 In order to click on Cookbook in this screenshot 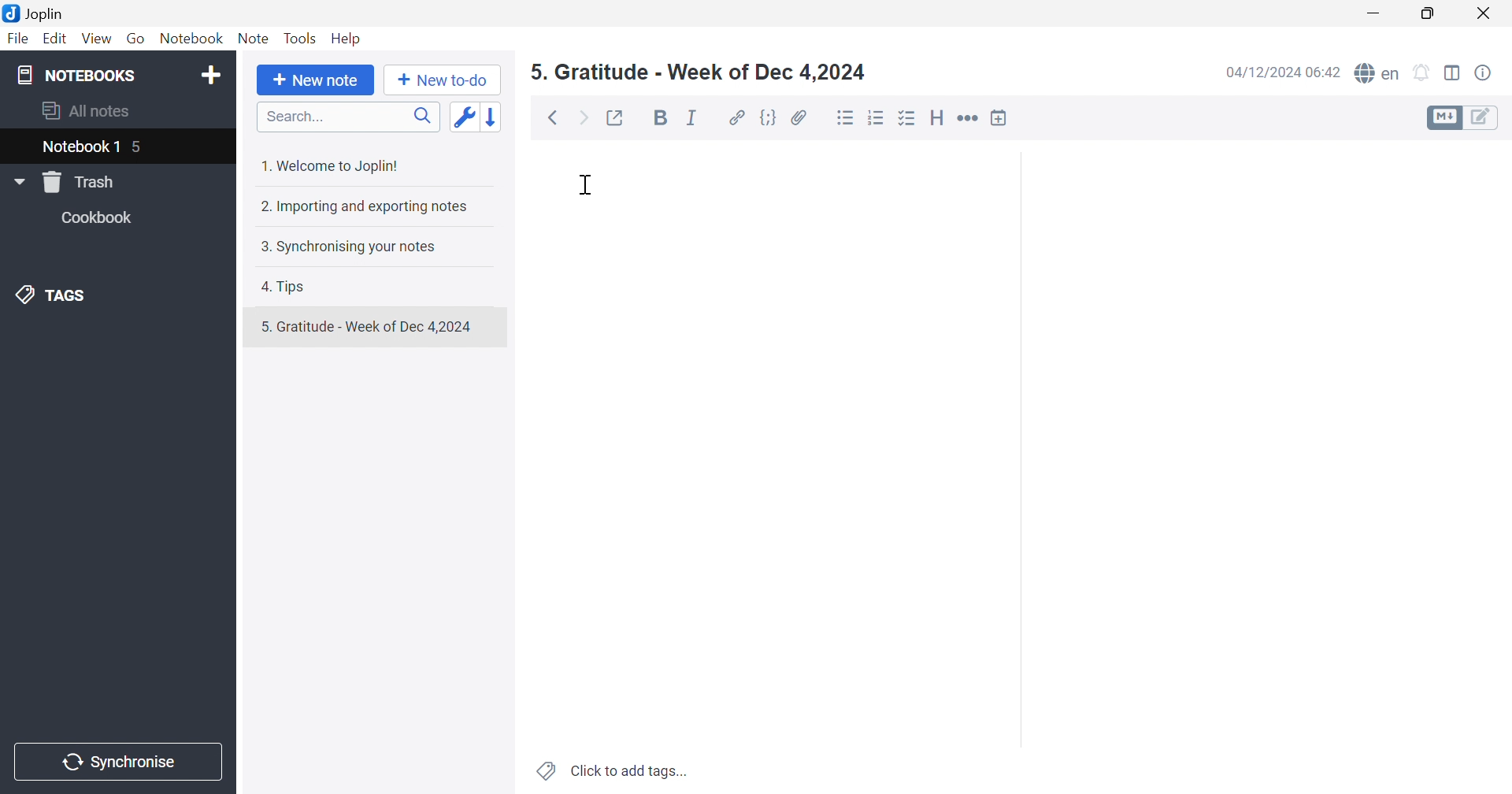, I will do `click(102, 217)`.